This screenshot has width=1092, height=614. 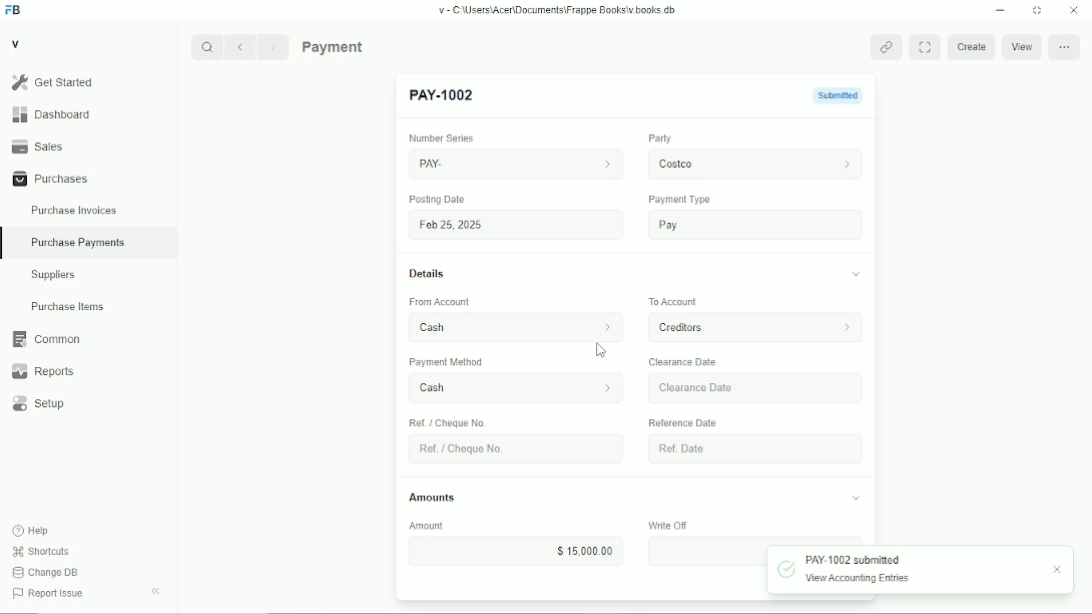 I want to click on V, so click(x=16, y=43).